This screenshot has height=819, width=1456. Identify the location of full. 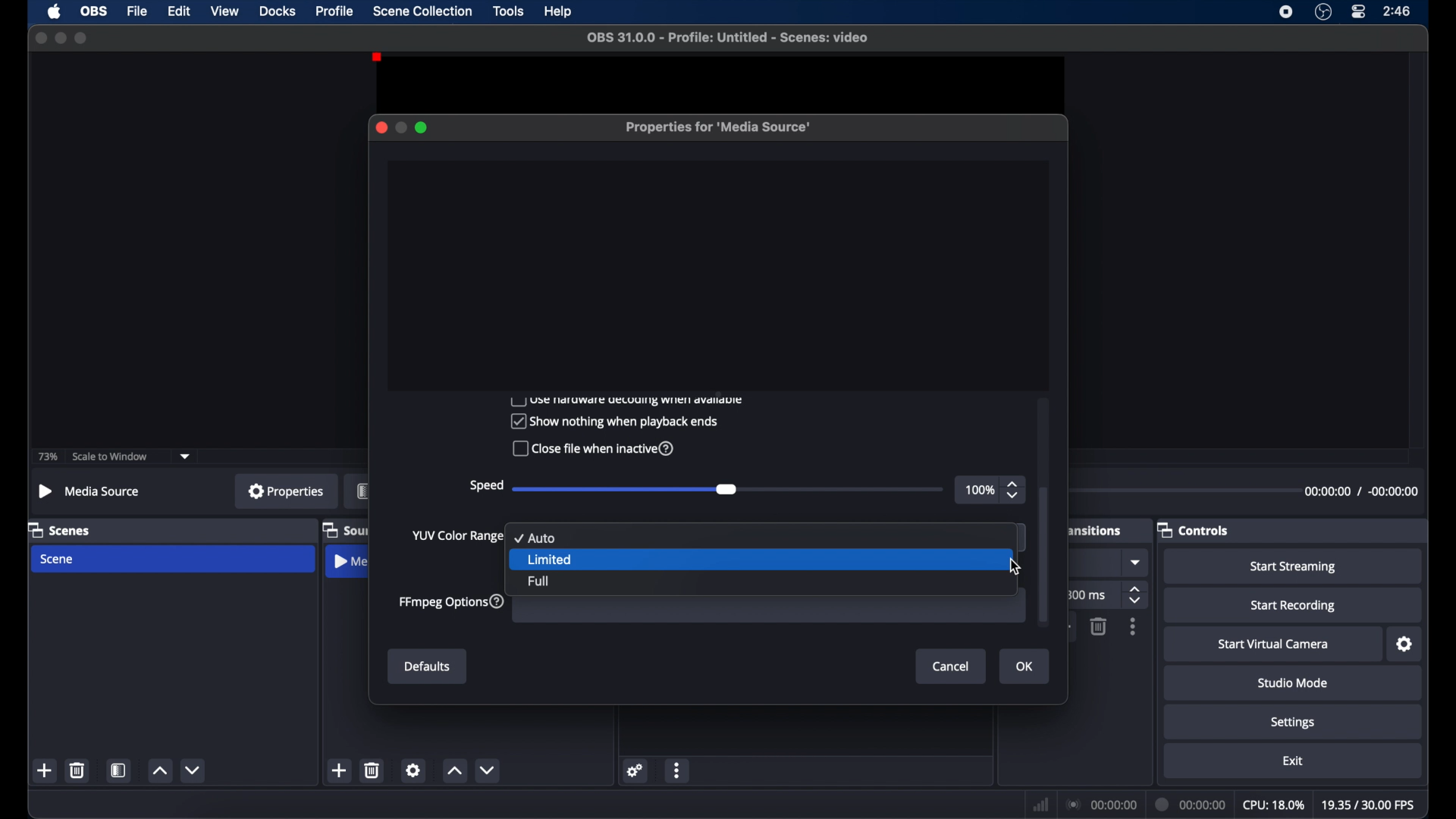
(538, 580).